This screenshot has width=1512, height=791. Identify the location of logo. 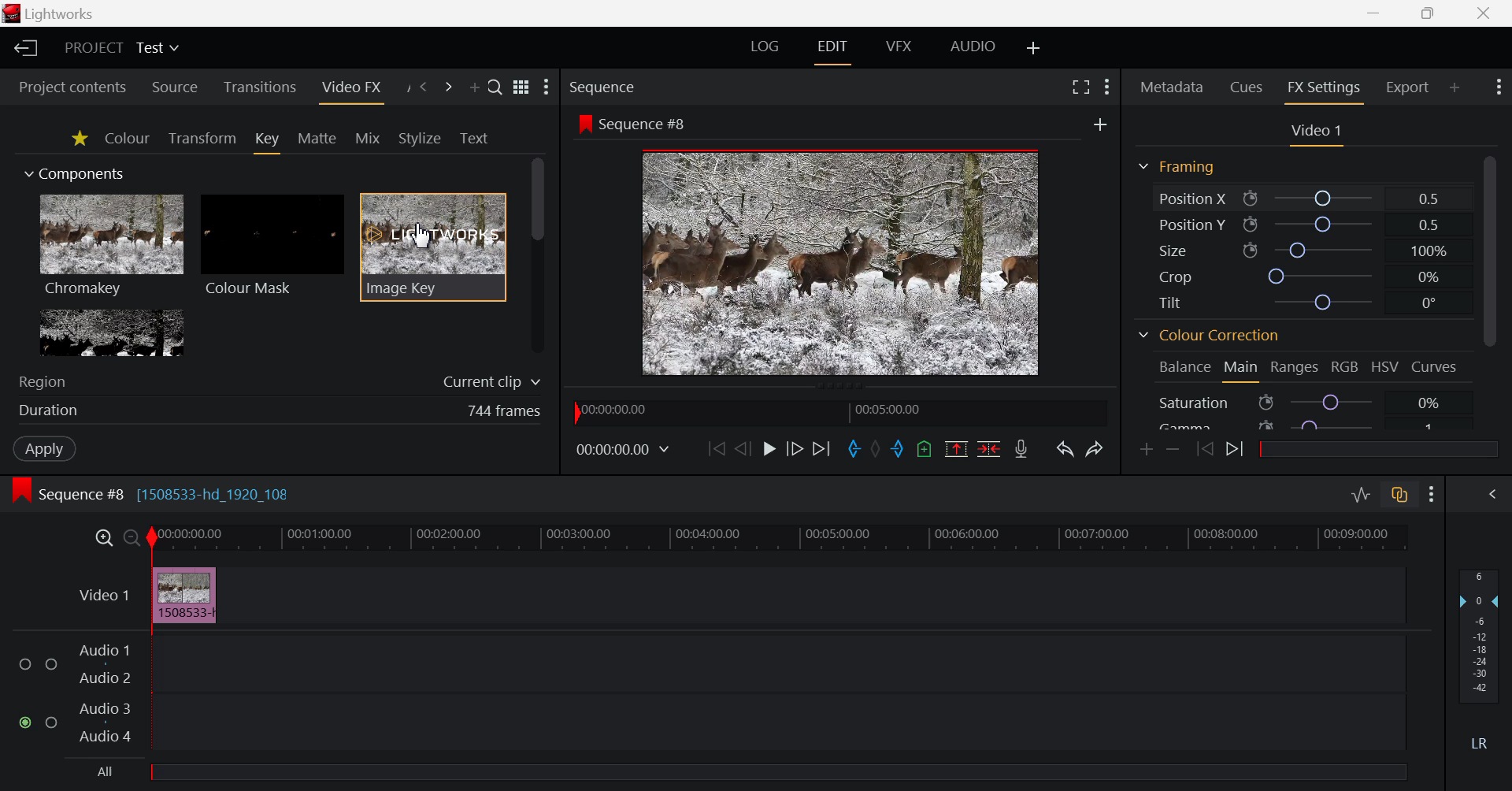
(13, 13).